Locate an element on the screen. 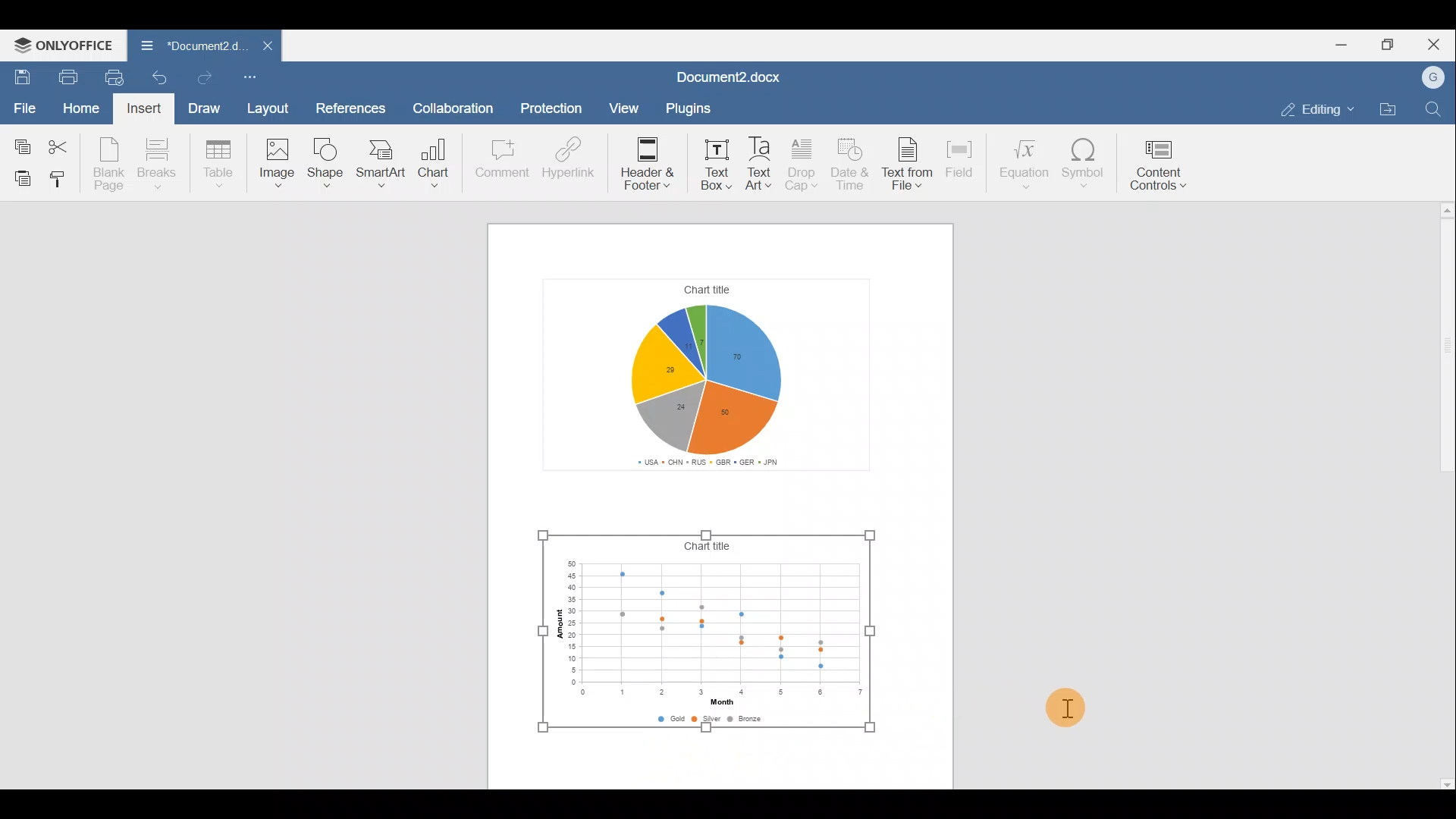 The image size is (1456, 819). Date & time is located at coordinates (854, 165).